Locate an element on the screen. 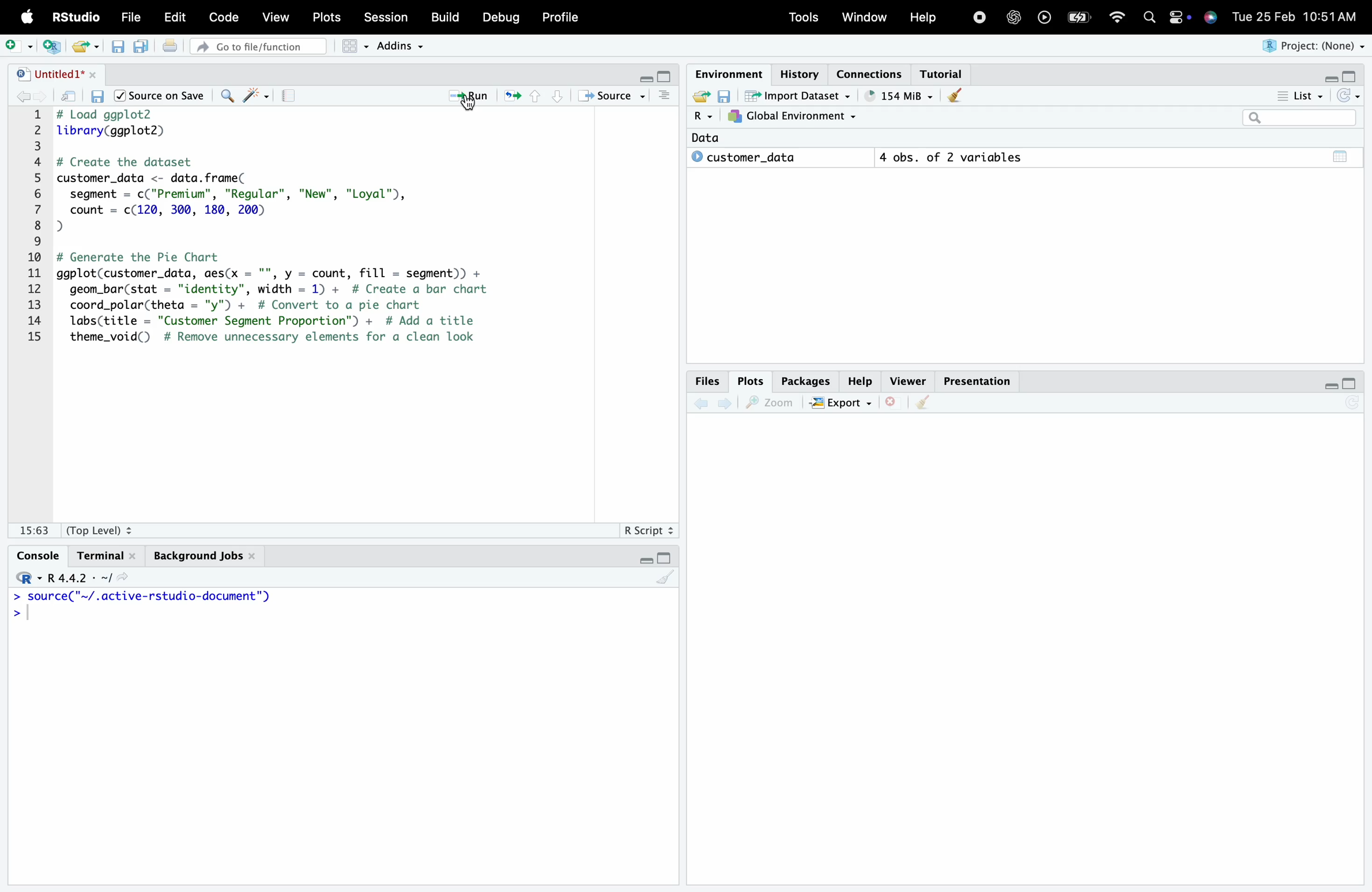  Console is located at coordinates (38, 551).